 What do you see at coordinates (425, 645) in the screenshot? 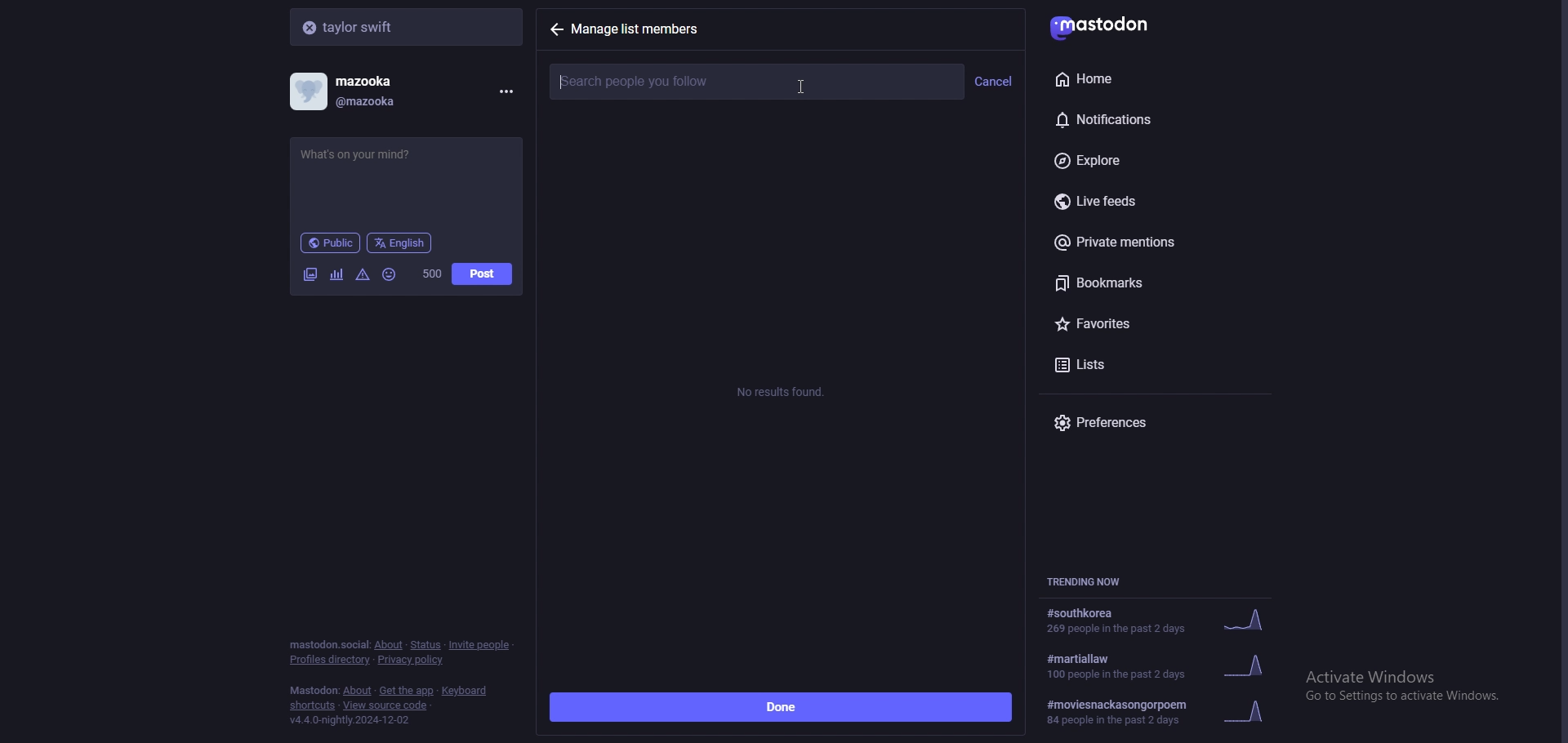
I see `status` at bounding box center [425, 645].